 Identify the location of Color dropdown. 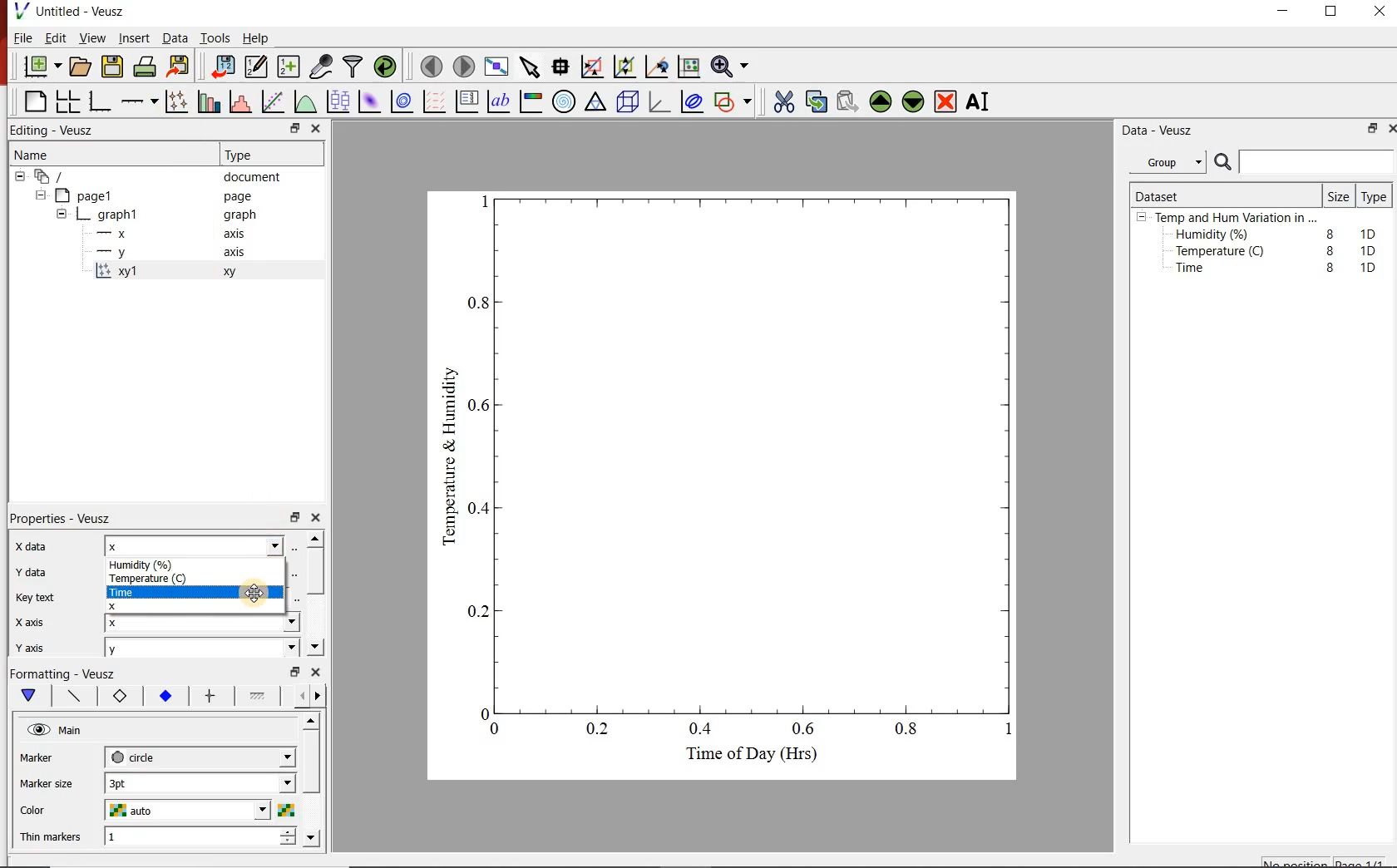
(237, 811).